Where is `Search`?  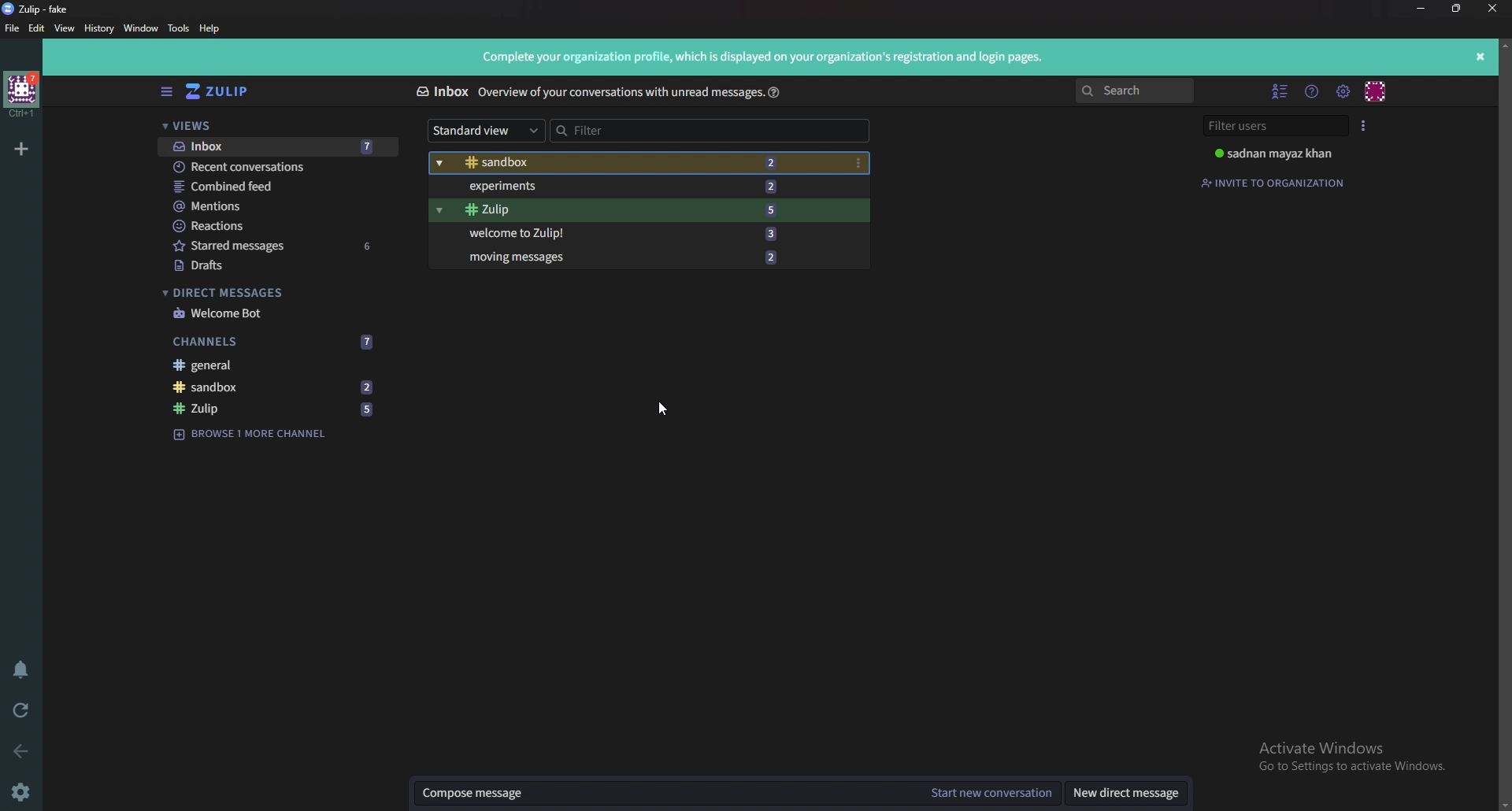
Search is located at coordinates (1135, 91).